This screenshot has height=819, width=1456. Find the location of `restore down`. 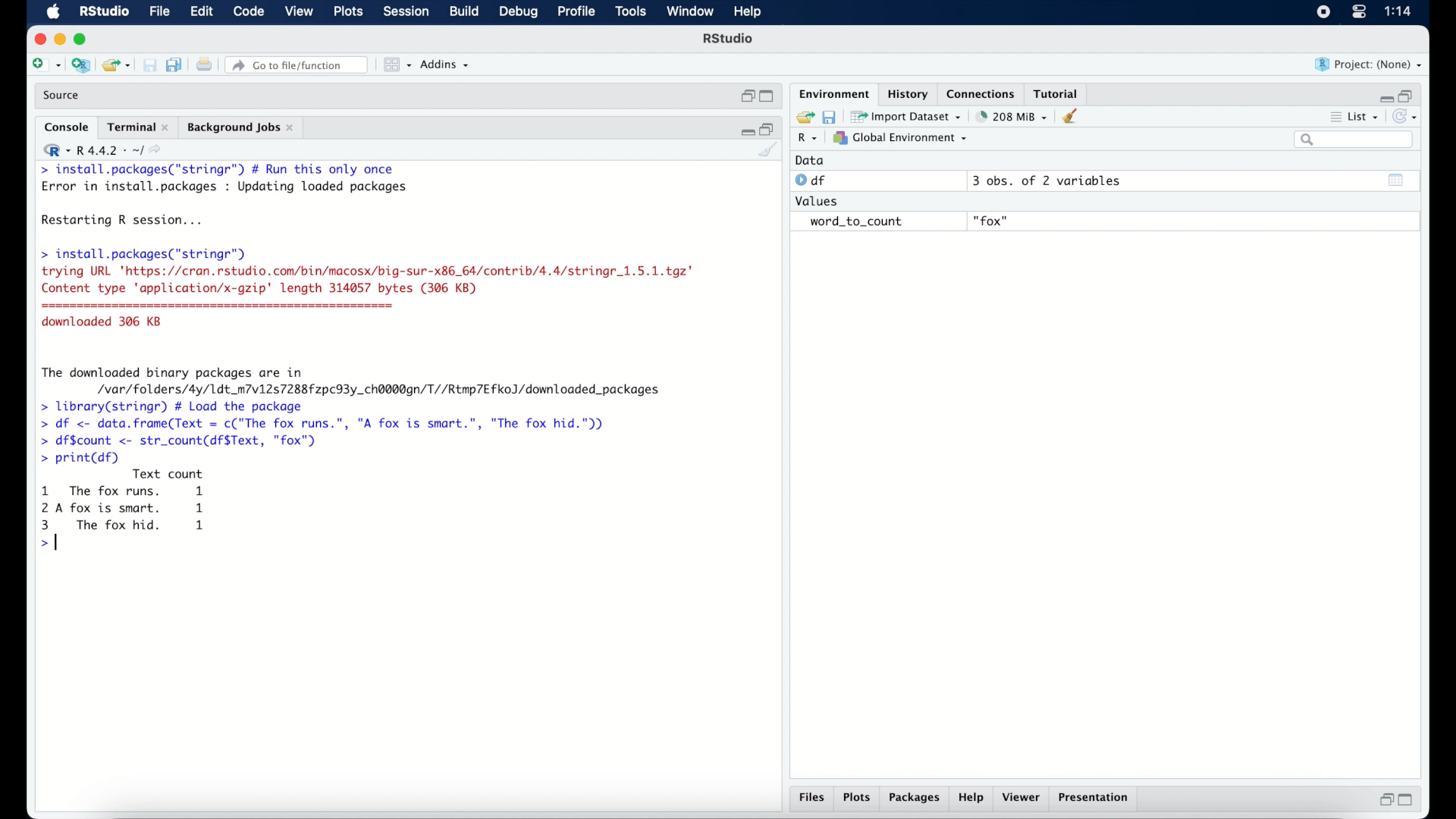

restore down is located at coordinates (1384, 799).